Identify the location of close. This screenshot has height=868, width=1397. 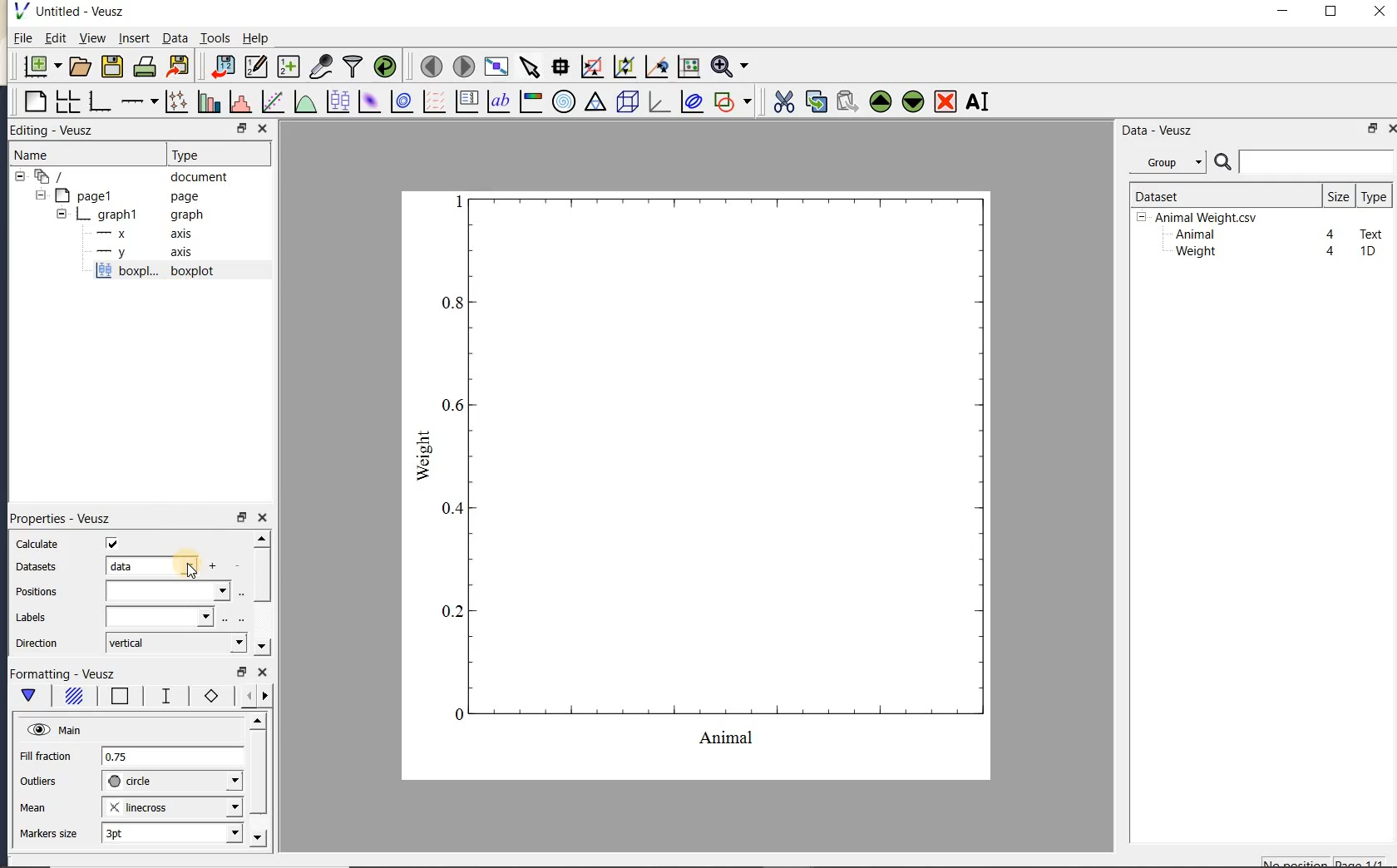
(1391, 129).